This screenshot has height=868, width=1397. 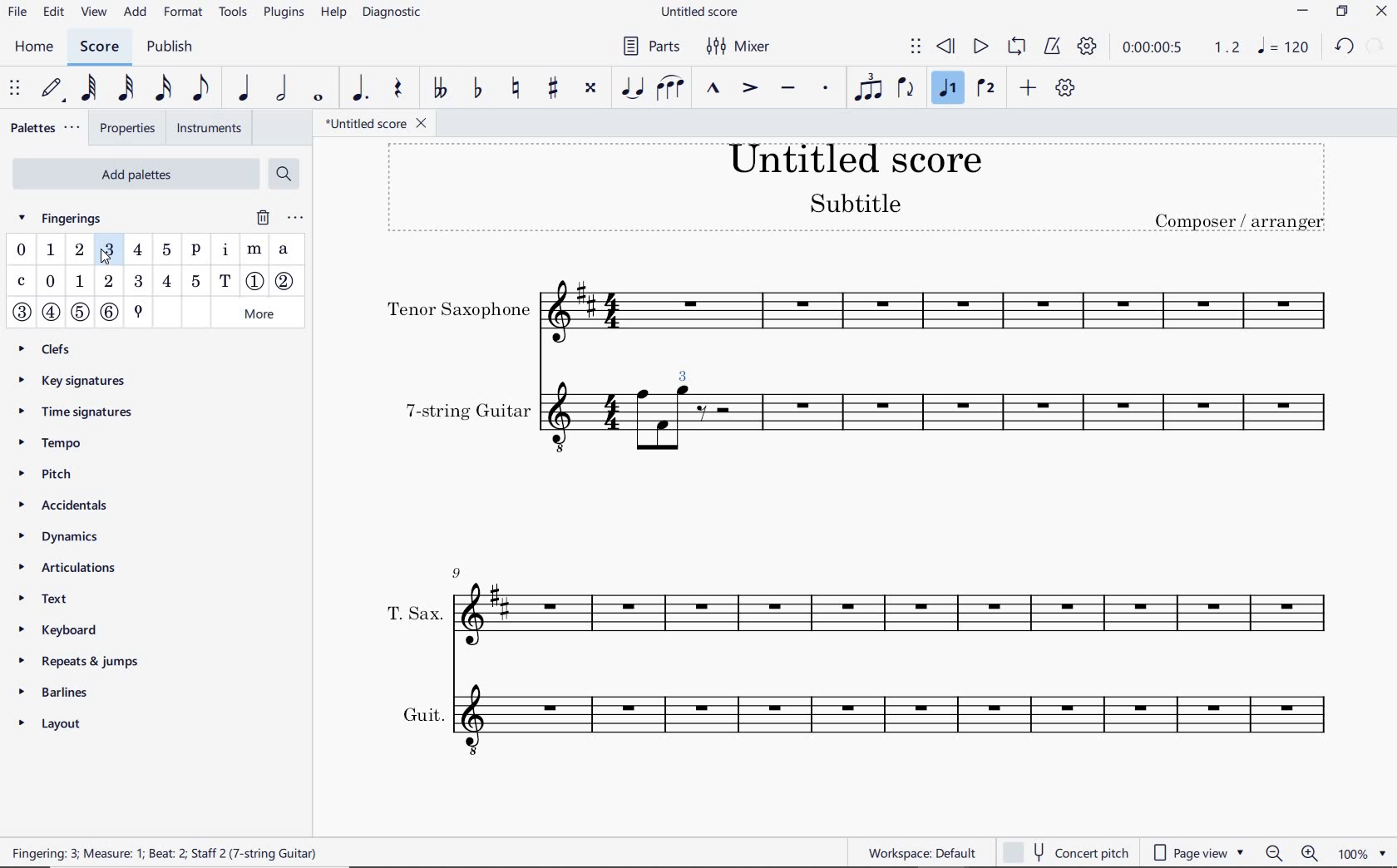 I want to click on HOME, so click(x=38, y=48).